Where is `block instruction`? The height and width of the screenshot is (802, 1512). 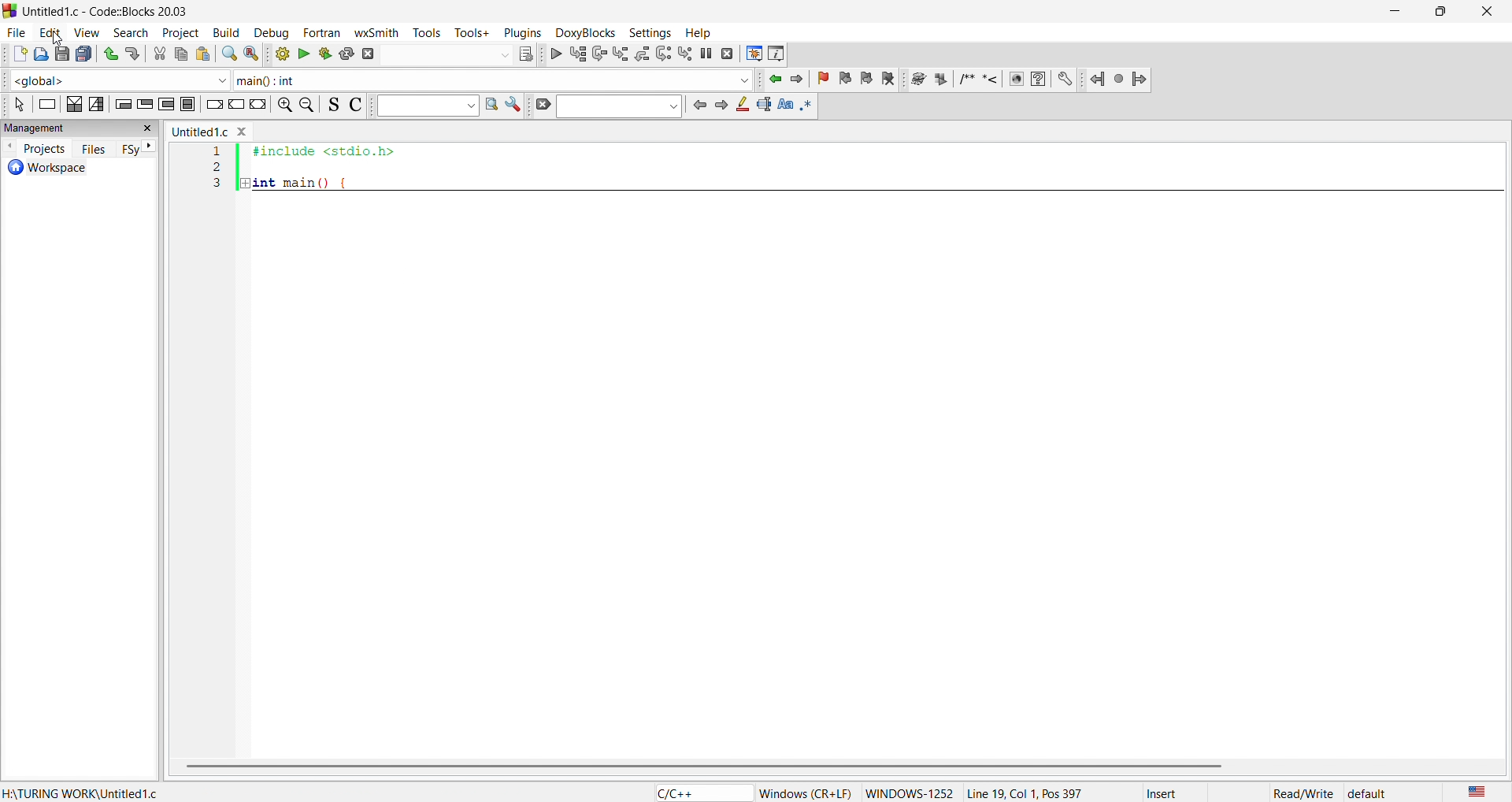
block instruction is located at coordinates (188, 103).